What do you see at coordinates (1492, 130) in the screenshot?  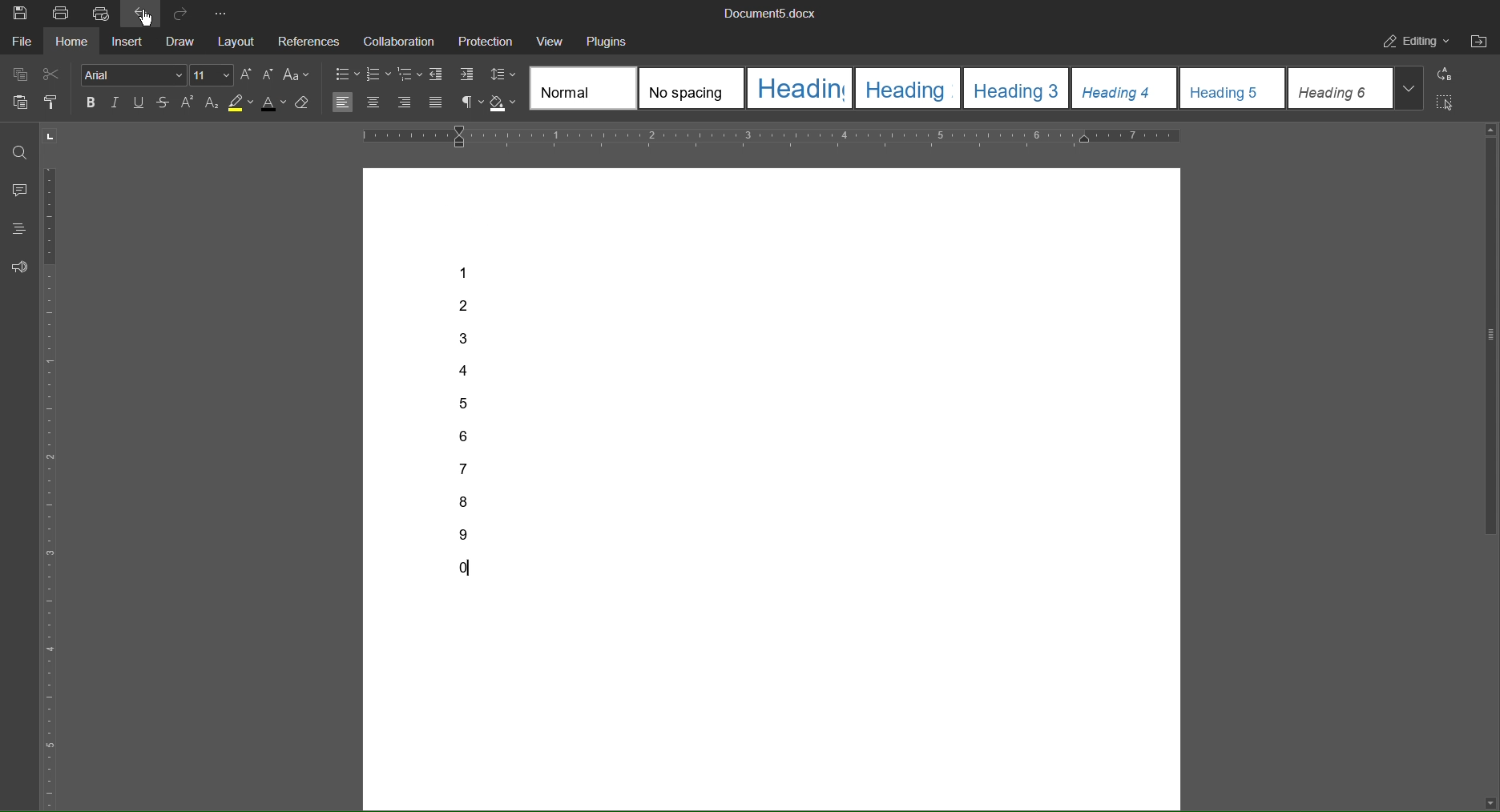 I see `scroll up` at bounding box center [1492, 130].